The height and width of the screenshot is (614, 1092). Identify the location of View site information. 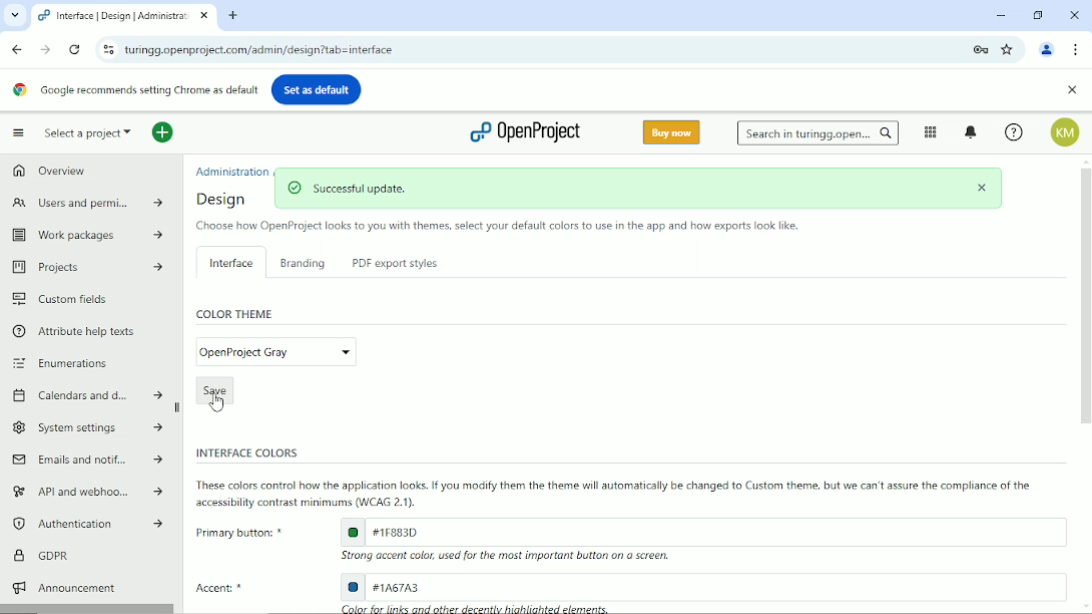
(105, 49).